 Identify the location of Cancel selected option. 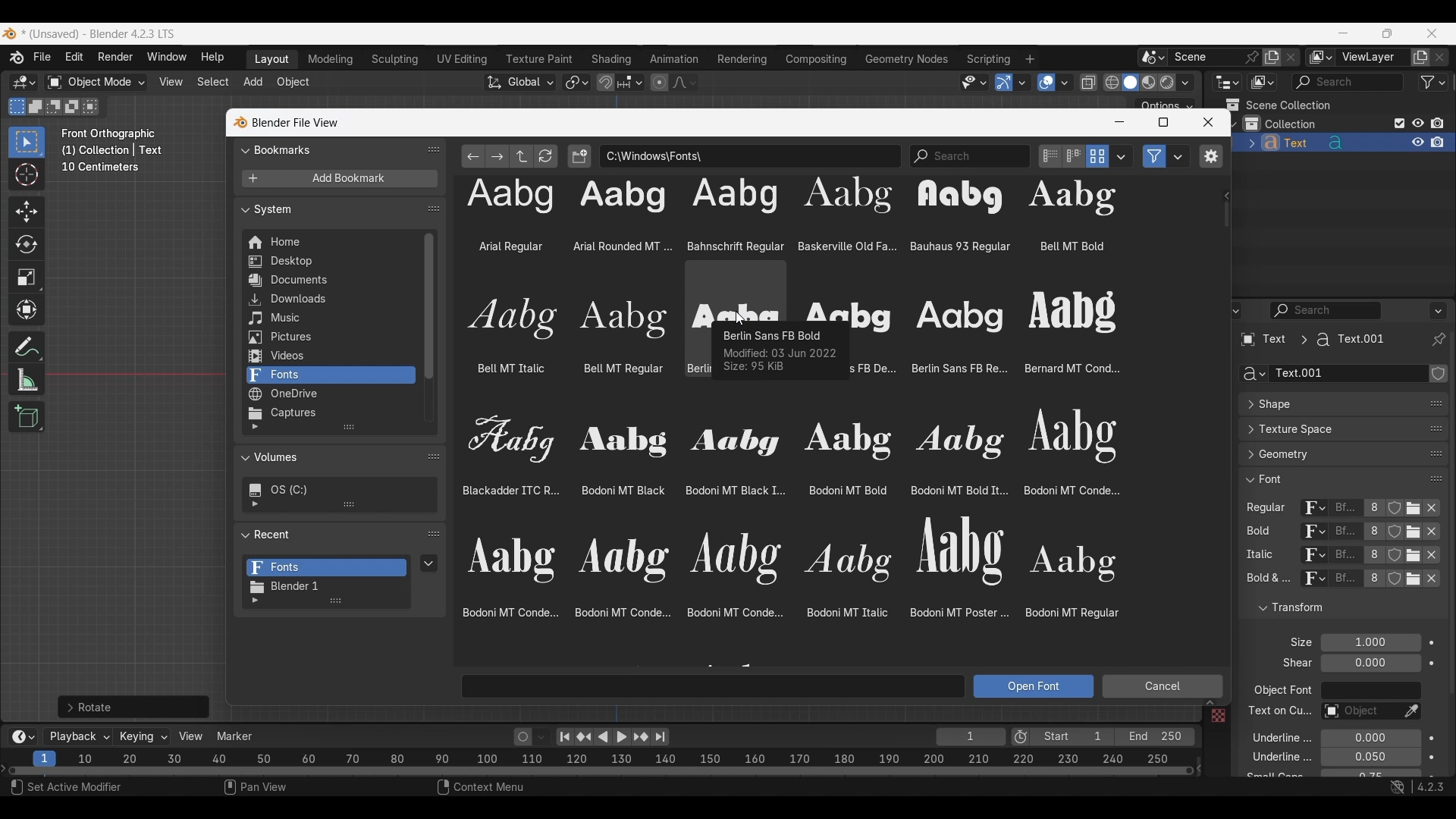
(1162, 686).